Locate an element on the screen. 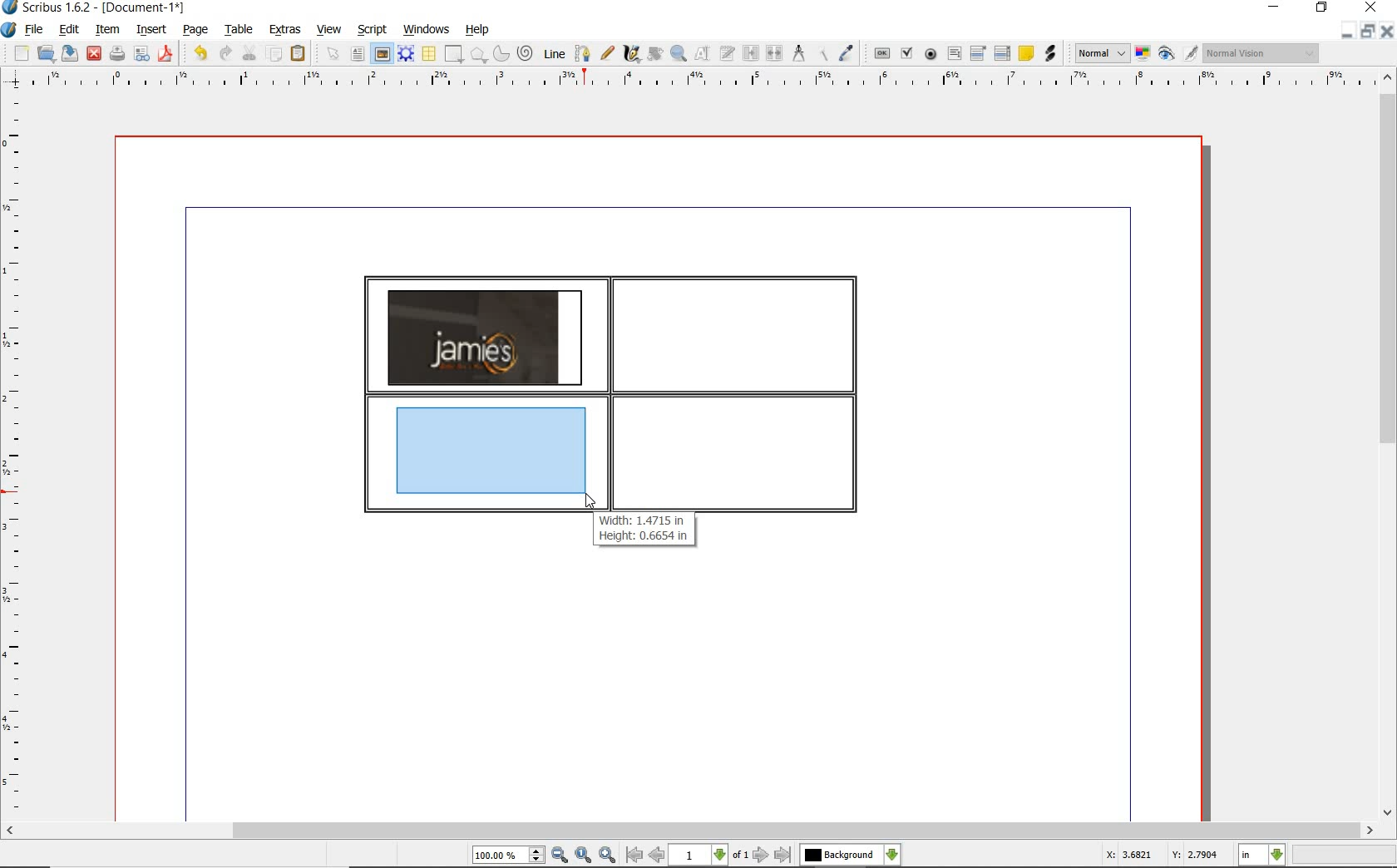 This screenshot has width=1397, height=868. extras is located at coordinates (285, 30).